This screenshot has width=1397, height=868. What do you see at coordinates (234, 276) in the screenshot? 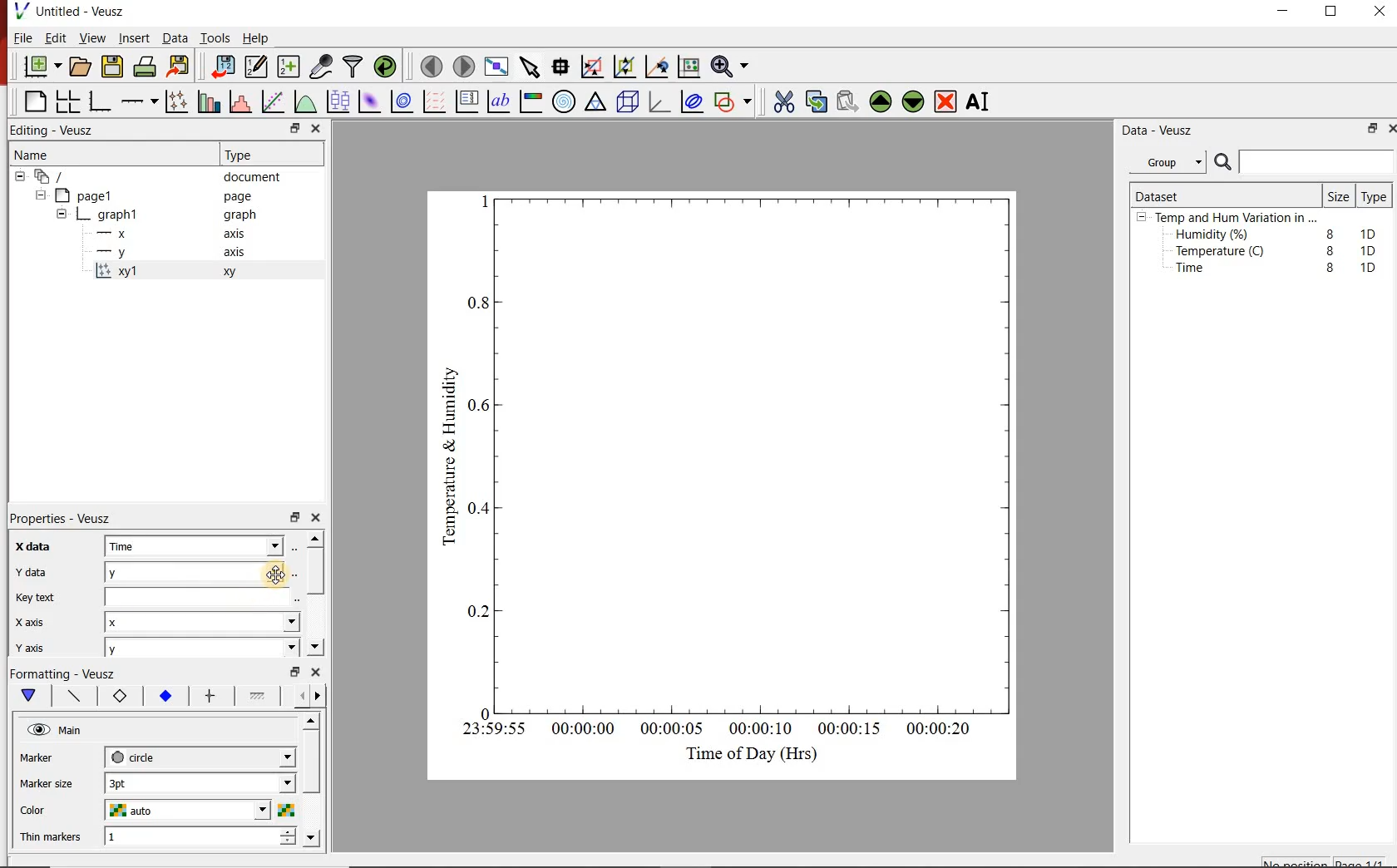
I see `xy` at bounding box center [234, 276].